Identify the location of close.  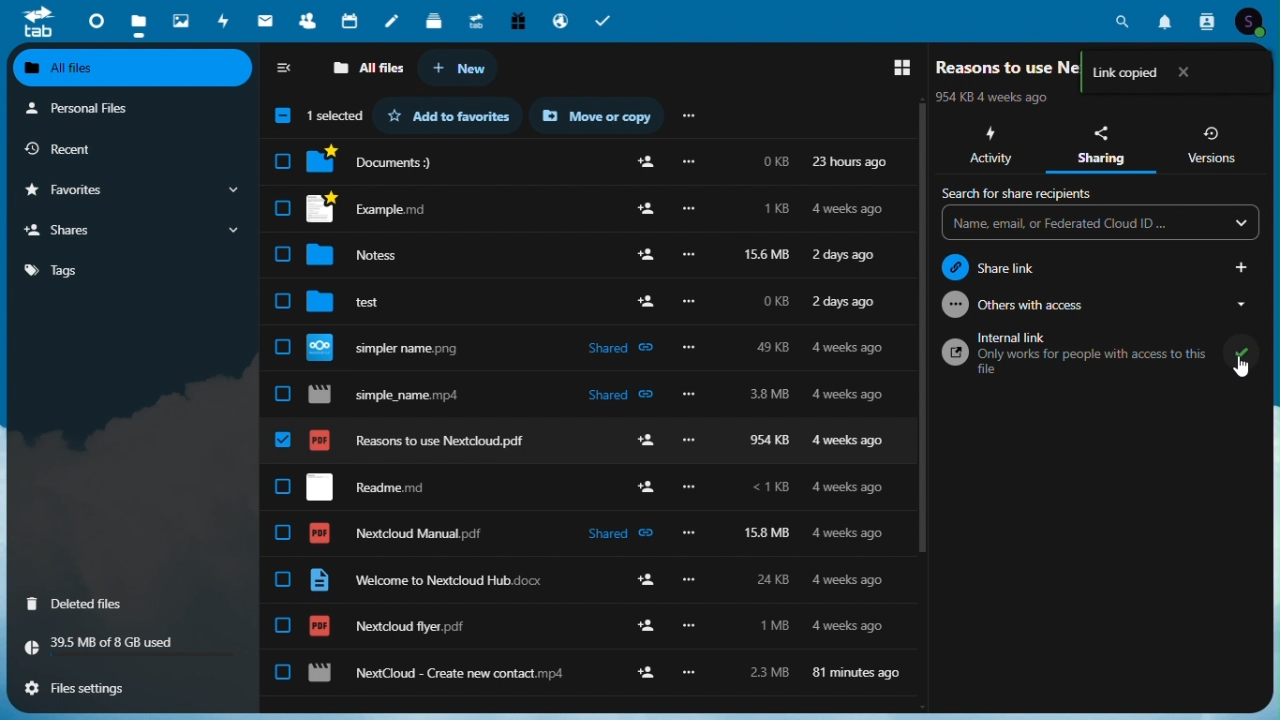
(1191, 72).